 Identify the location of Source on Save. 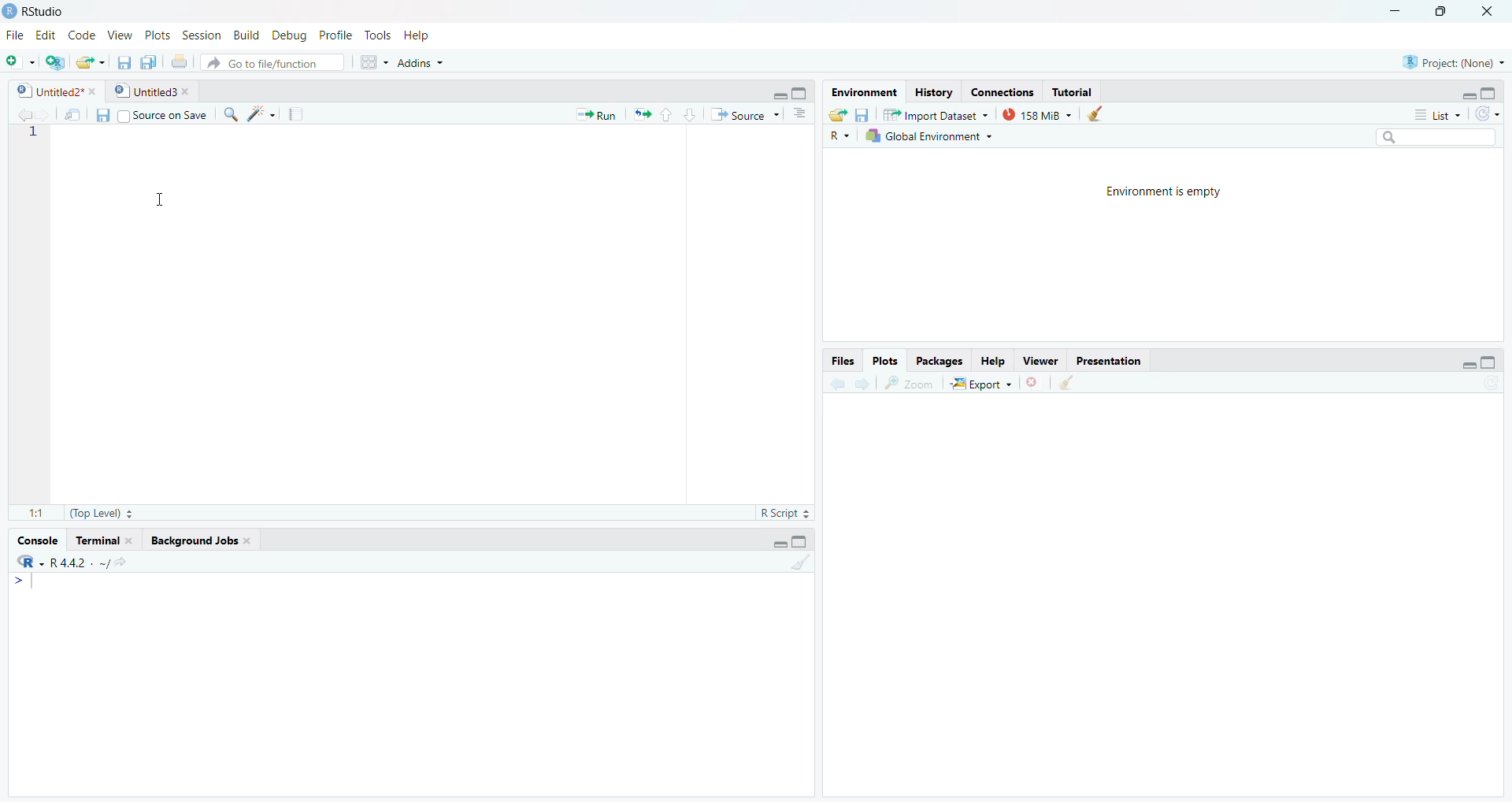
(166, 114).